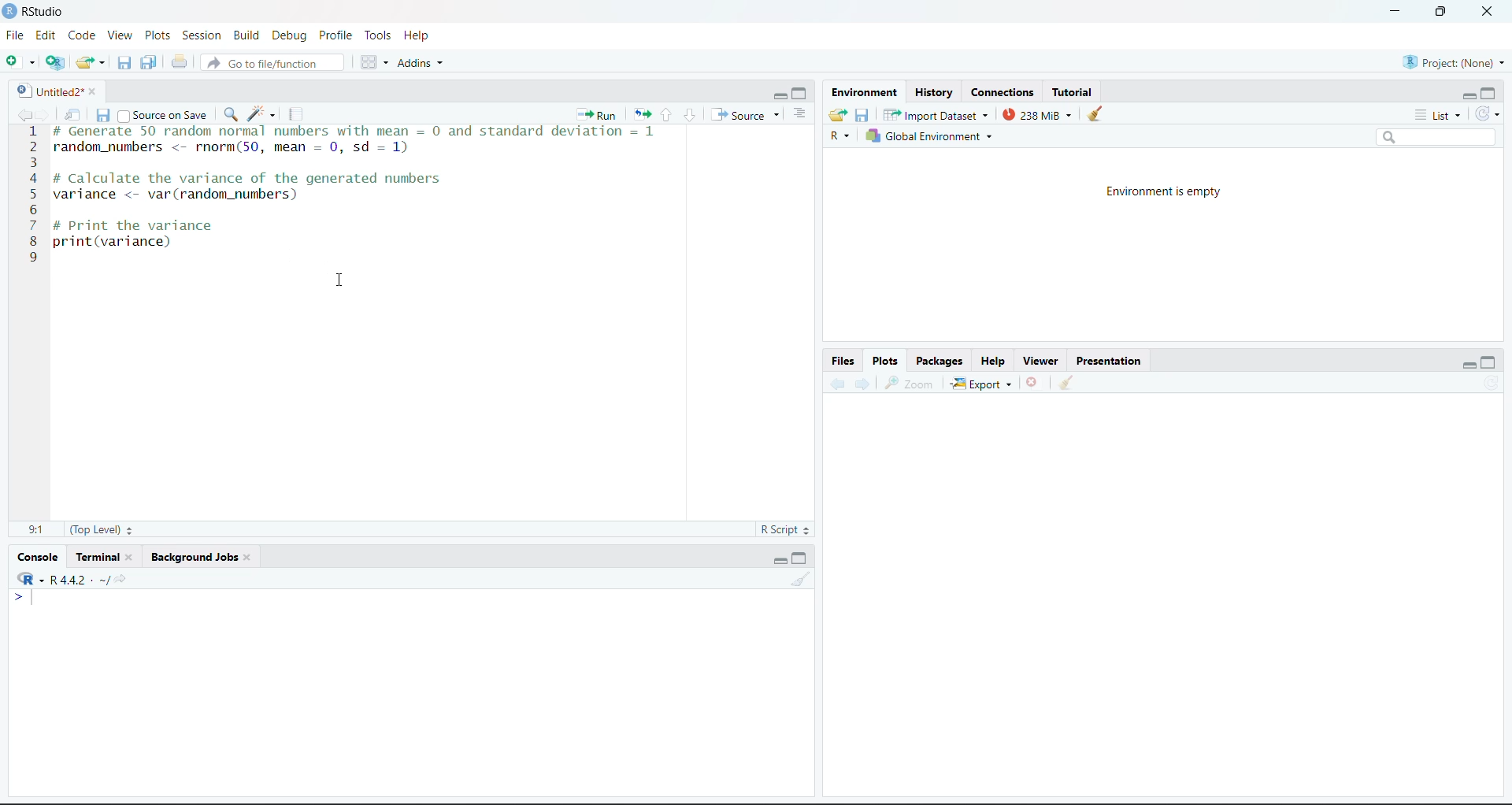  What do you see at coordinates (844, 361) in the screenshot?
I see `Files` at bounding box center [844, 361].